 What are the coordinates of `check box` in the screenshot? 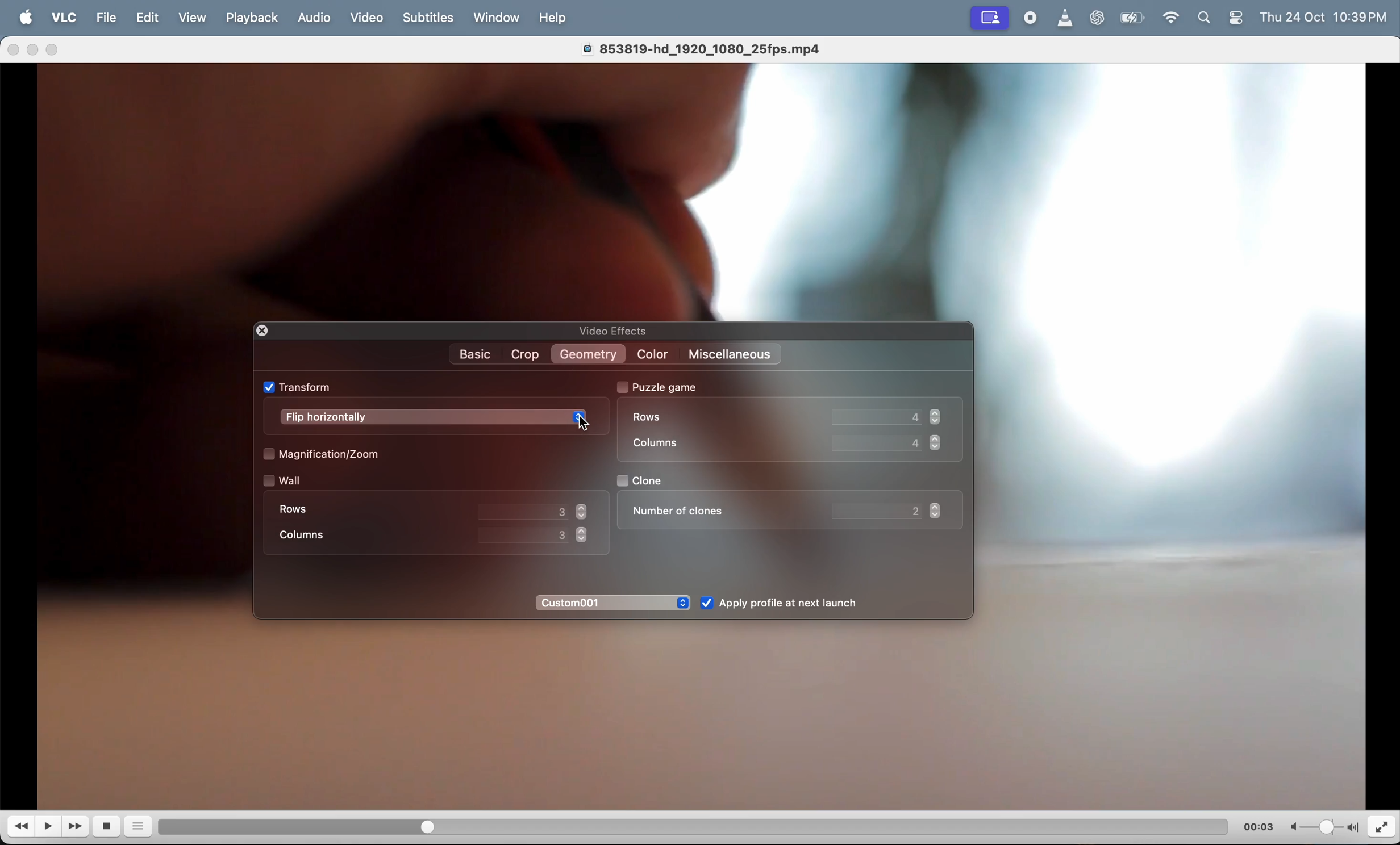 It's located at (269, 386).